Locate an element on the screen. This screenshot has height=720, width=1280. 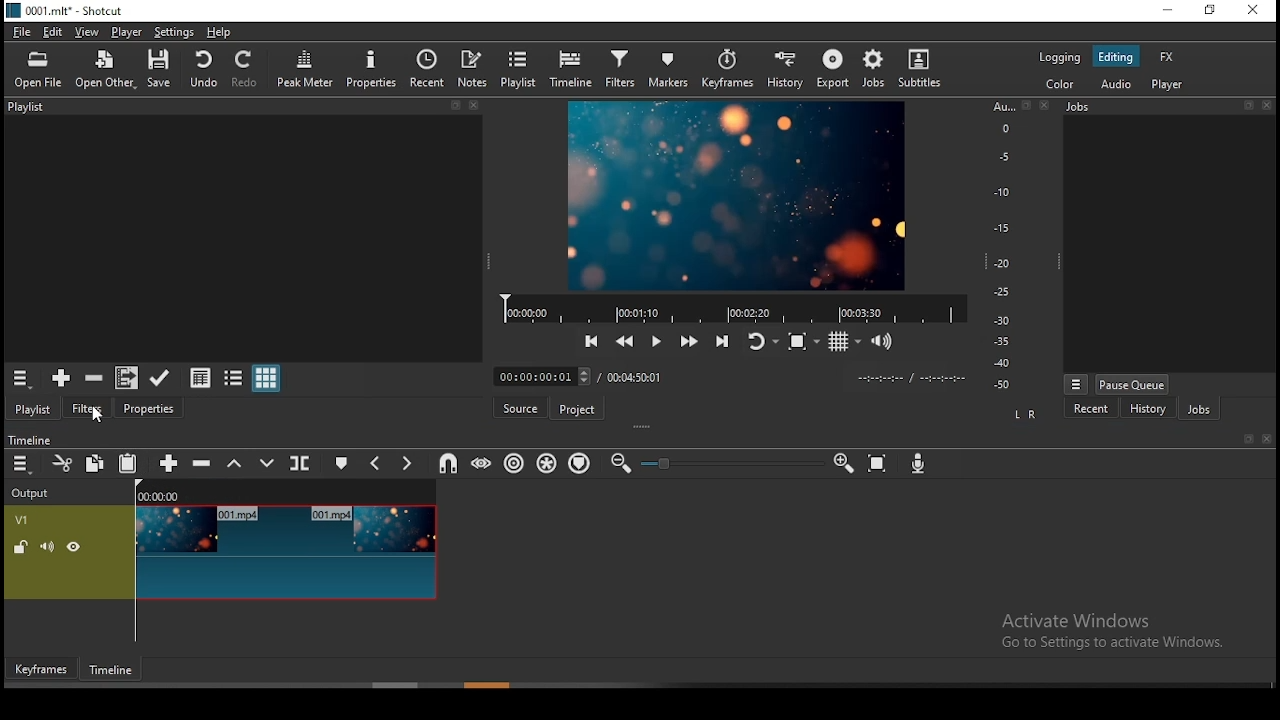
view as details is located at coordinates (200, 378).